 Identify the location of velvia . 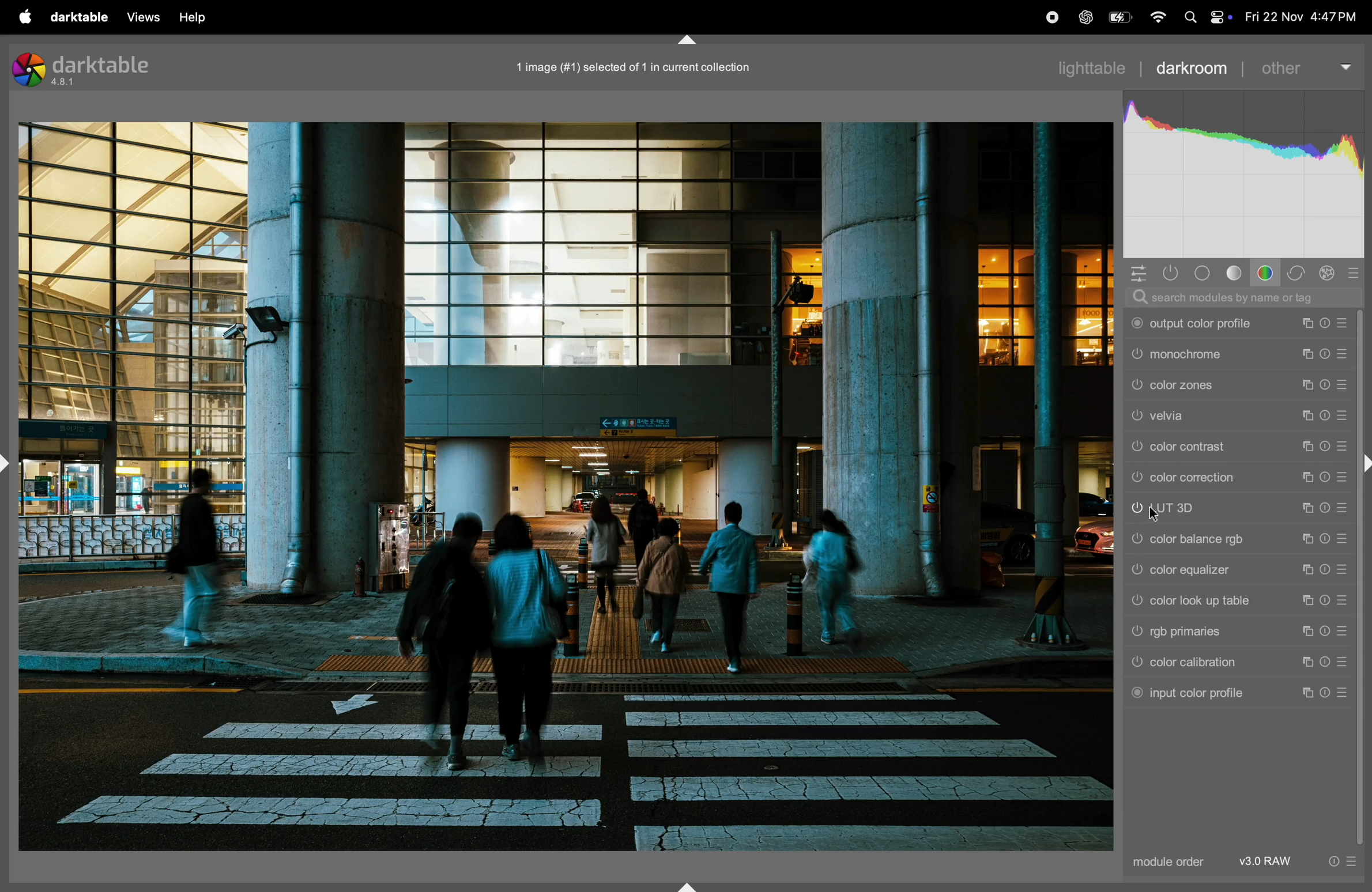
(1222, 415).